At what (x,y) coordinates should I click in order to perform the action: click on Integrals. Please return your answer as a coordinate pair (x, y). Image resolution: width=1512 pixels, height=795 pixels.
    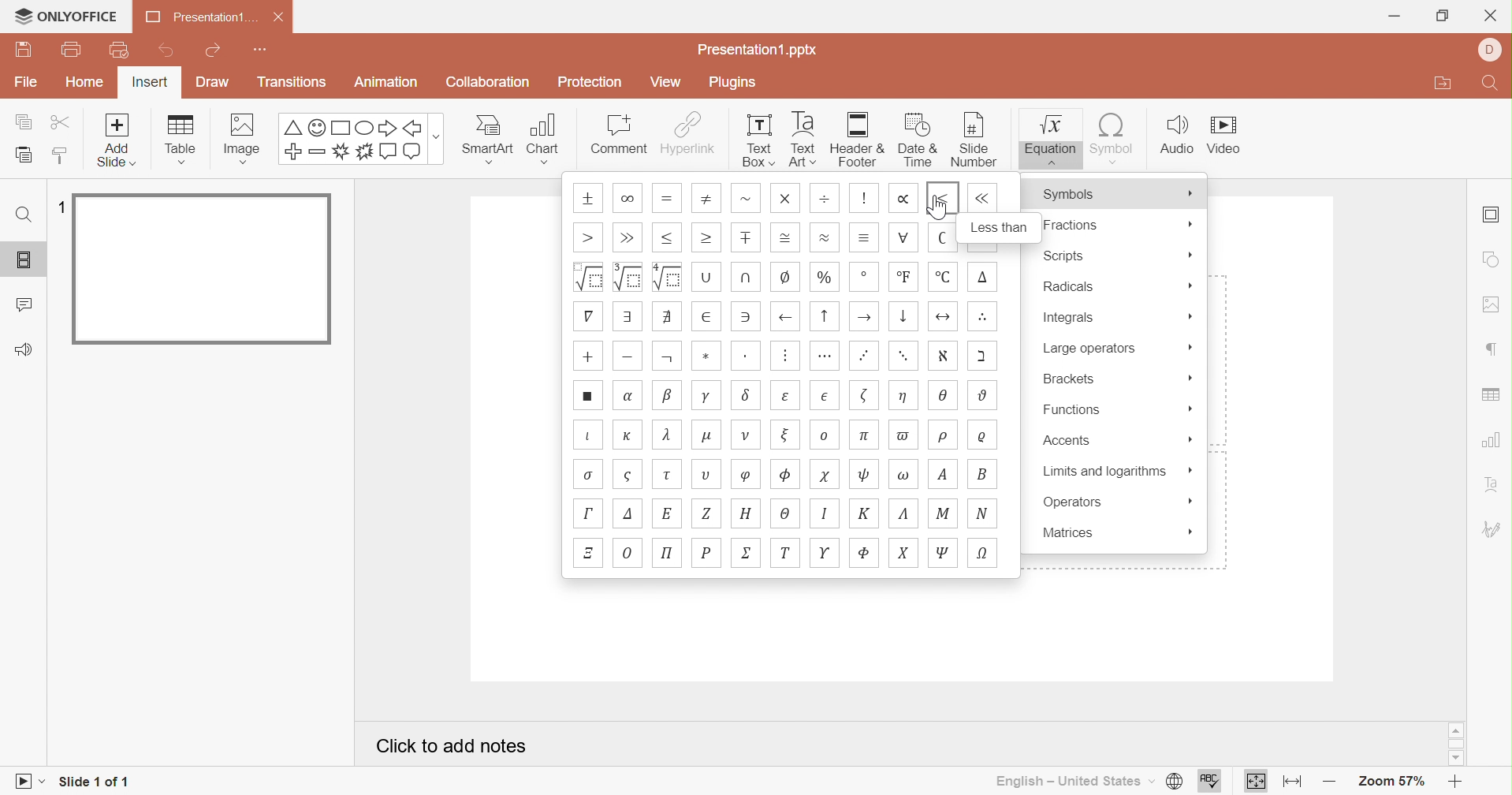
    Looking at the image, I should click on (1118, 314).